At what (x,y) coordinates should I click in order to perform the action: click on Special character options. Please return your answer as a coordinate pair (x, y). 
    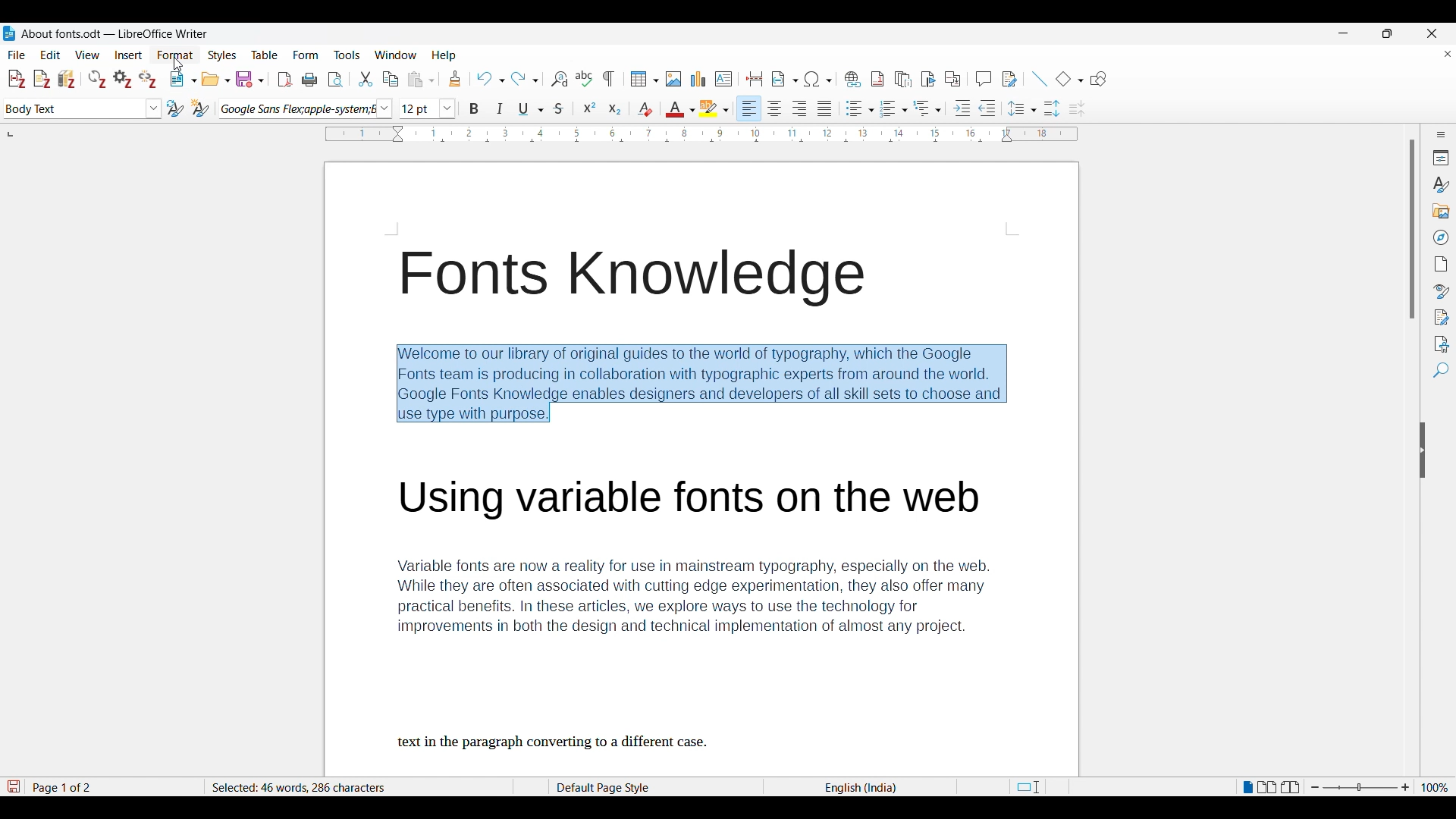
    Looking at the image, I should click on (819, 79).